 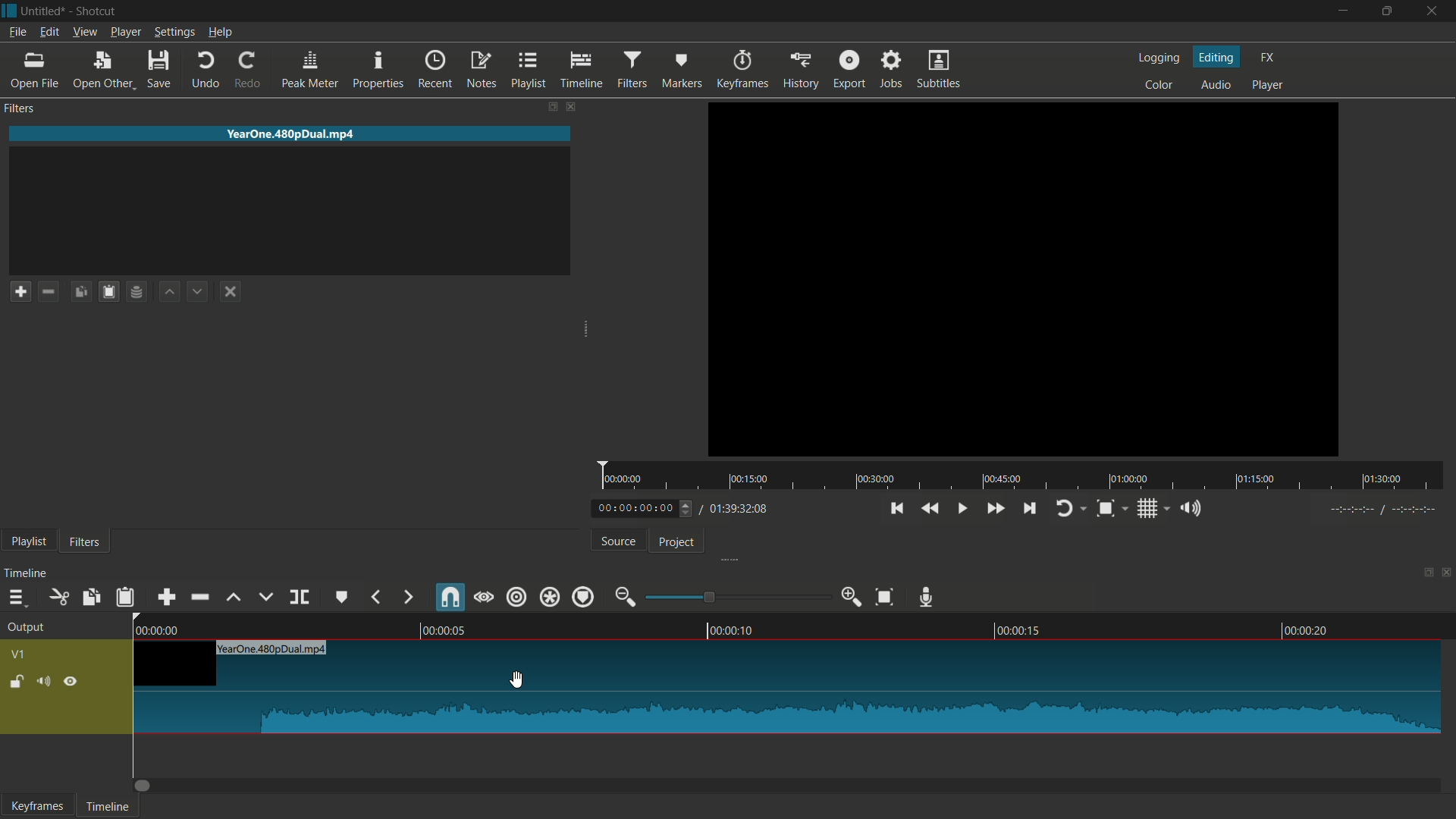 What do you see at coordinates (789, 686) in the screenshot?
I see `Track` at bounding box center [789, 686].